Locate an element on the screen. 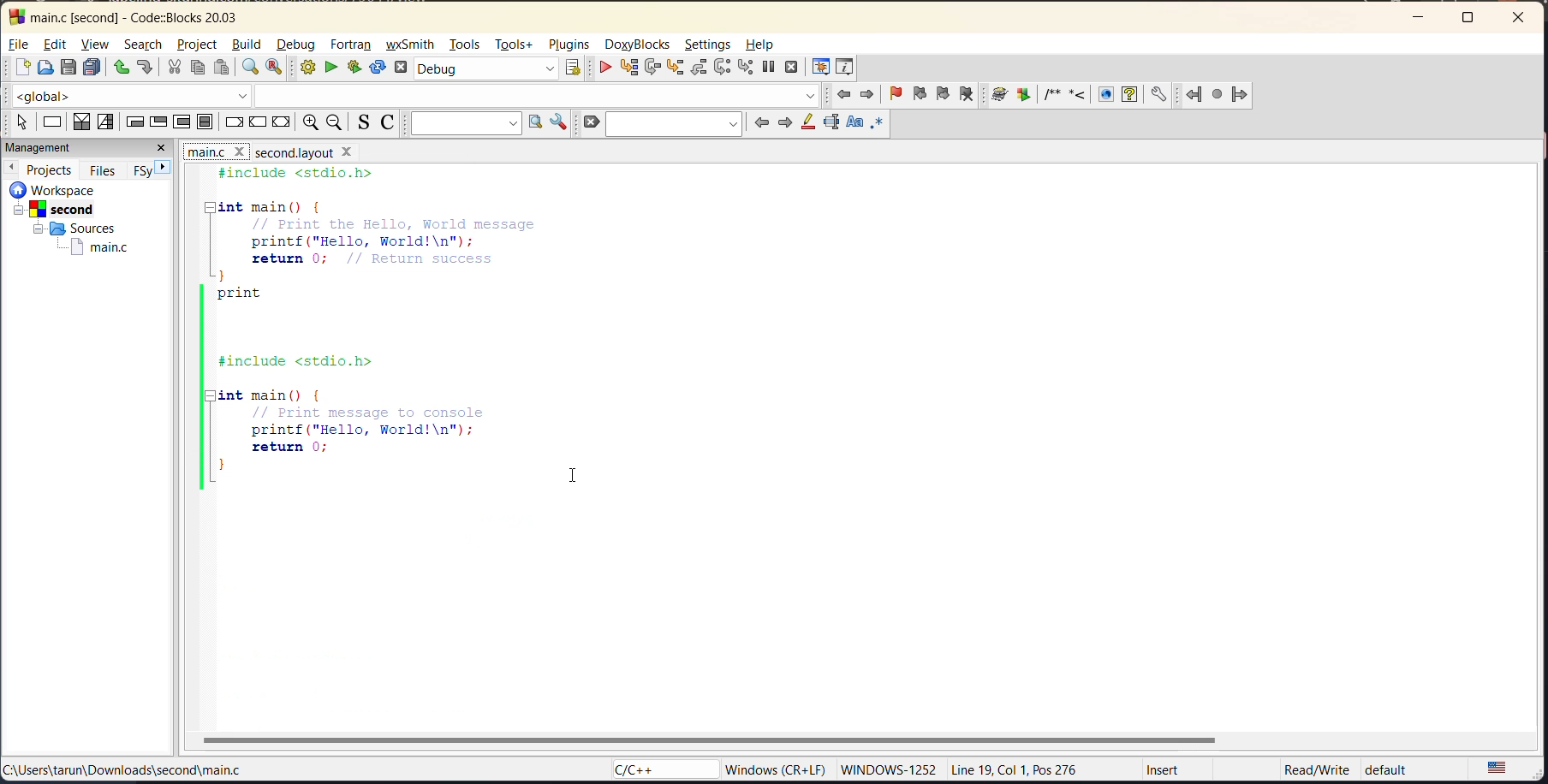 The height and width of the screenshot is (784, 1548). run to cursor is located at coordinates (633, 68).